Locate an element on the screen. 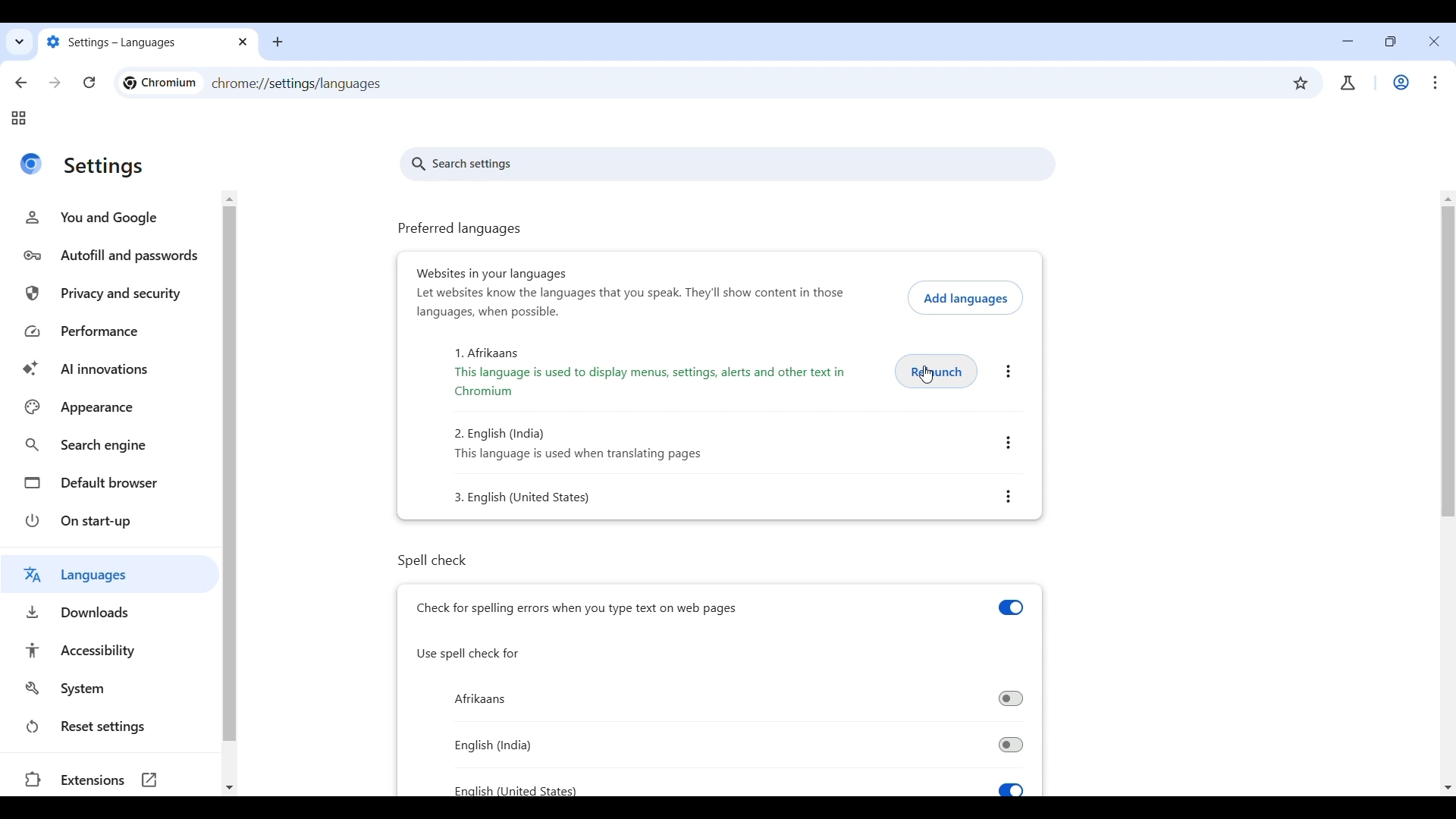  Reset settings is located at coordinates (113, 726).